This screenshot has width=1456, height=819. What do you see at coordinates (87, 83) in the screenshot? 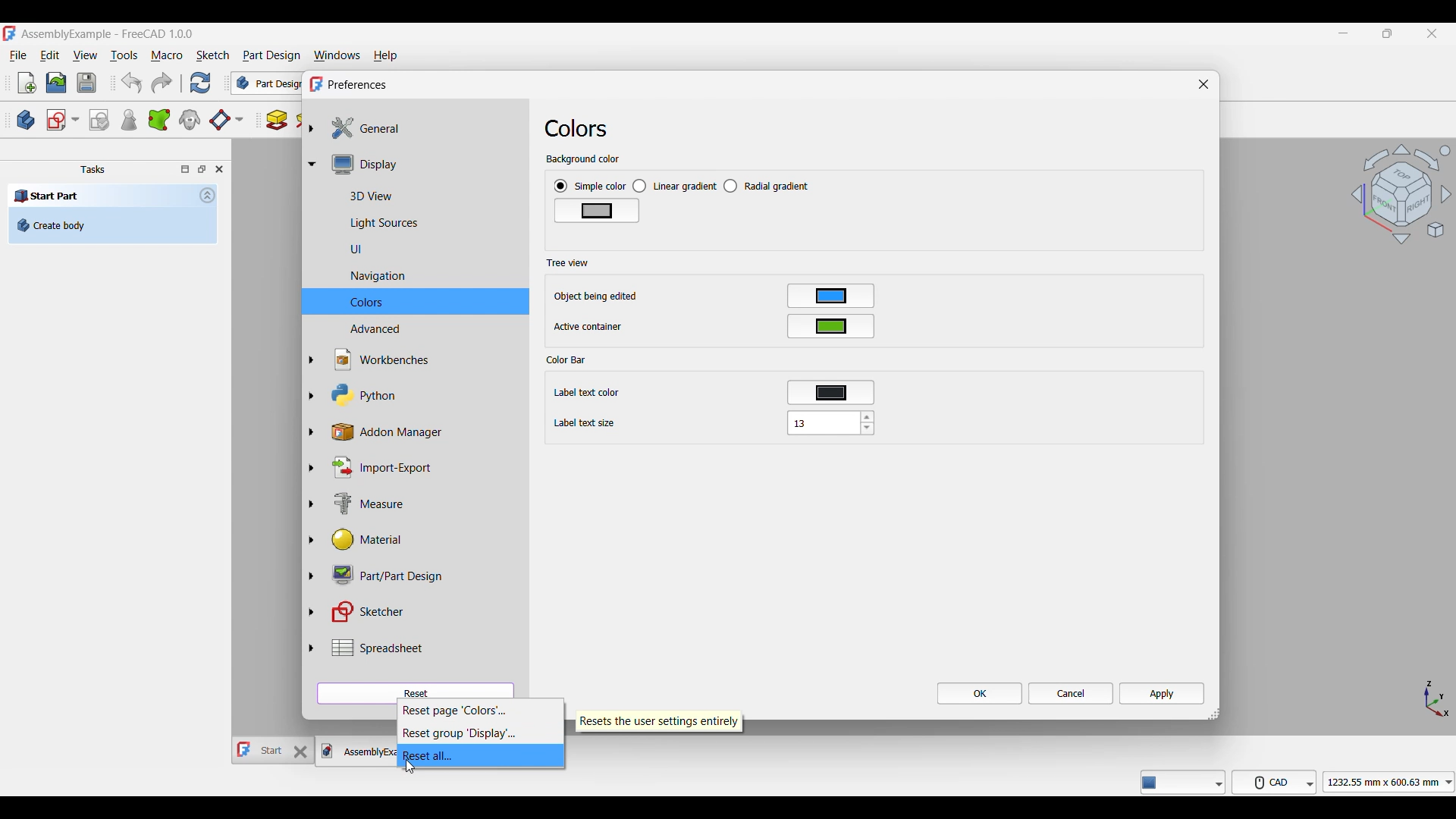
I see `Save` at bounding box center [87, 83].